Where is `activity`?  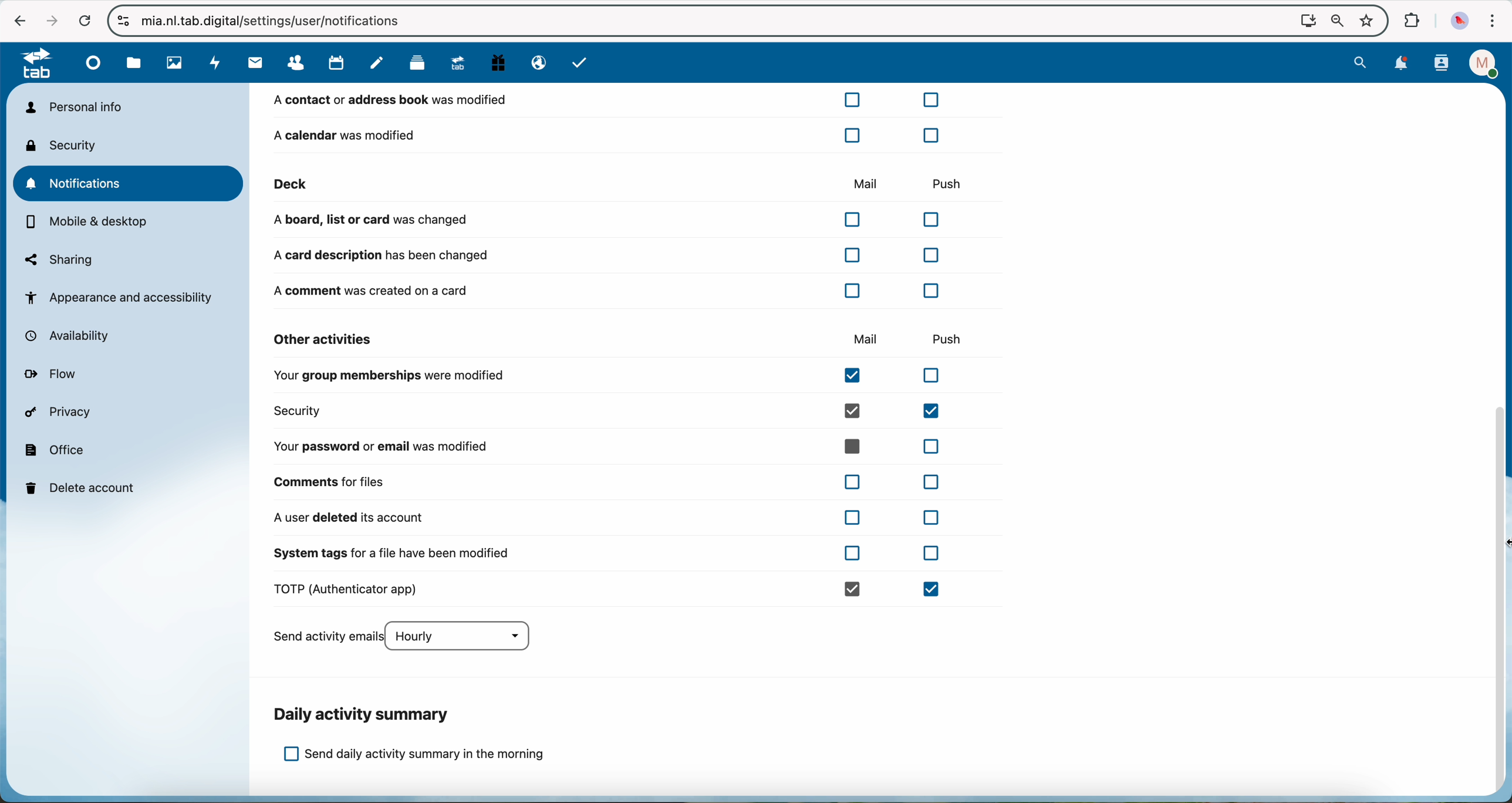
activity is located at coordinates (214, 63).